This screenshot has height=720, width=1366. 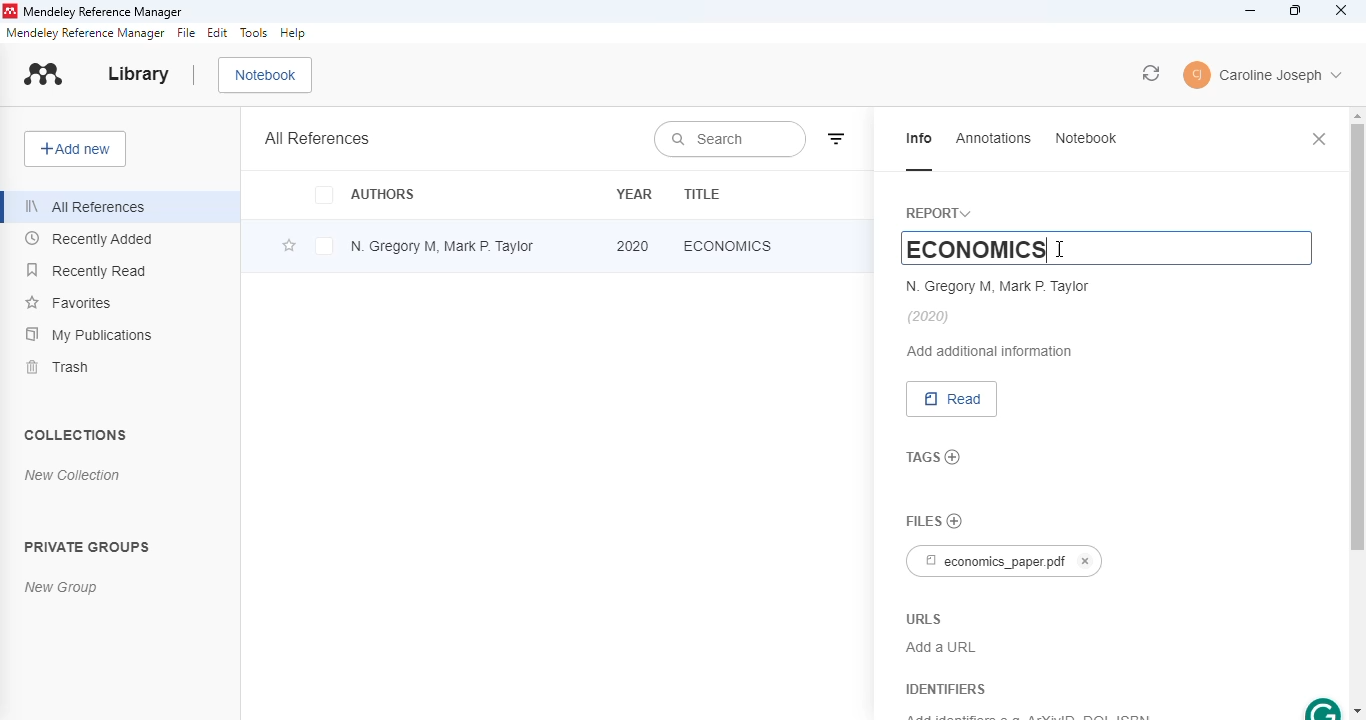 What do you see at coordinates (923, 618) in the screenshot?
I see `URLS` at bounding box center [923, 618].